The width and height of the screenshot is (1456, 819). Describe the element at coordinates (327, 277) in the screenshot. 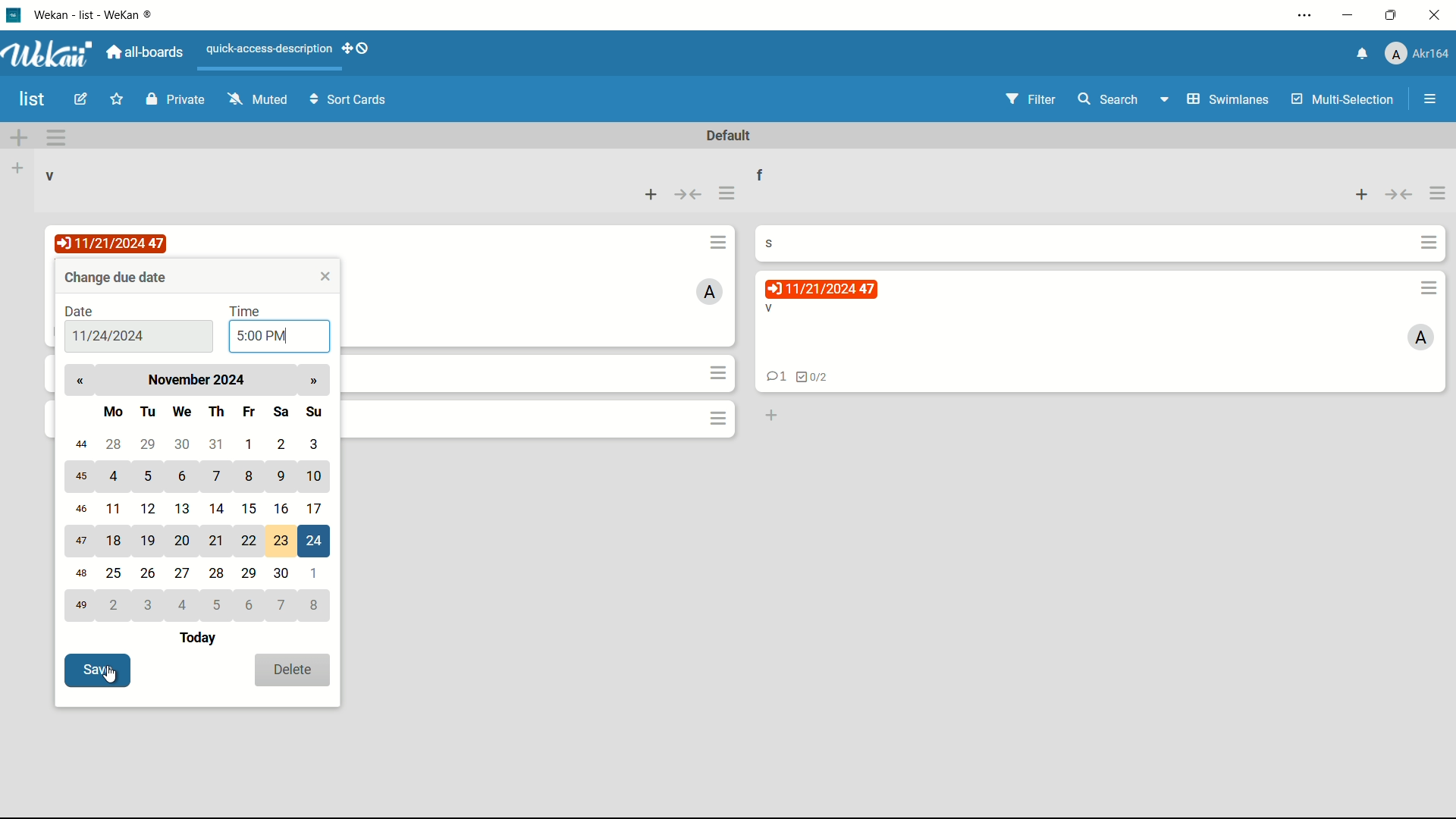

I see `close window` at that location.